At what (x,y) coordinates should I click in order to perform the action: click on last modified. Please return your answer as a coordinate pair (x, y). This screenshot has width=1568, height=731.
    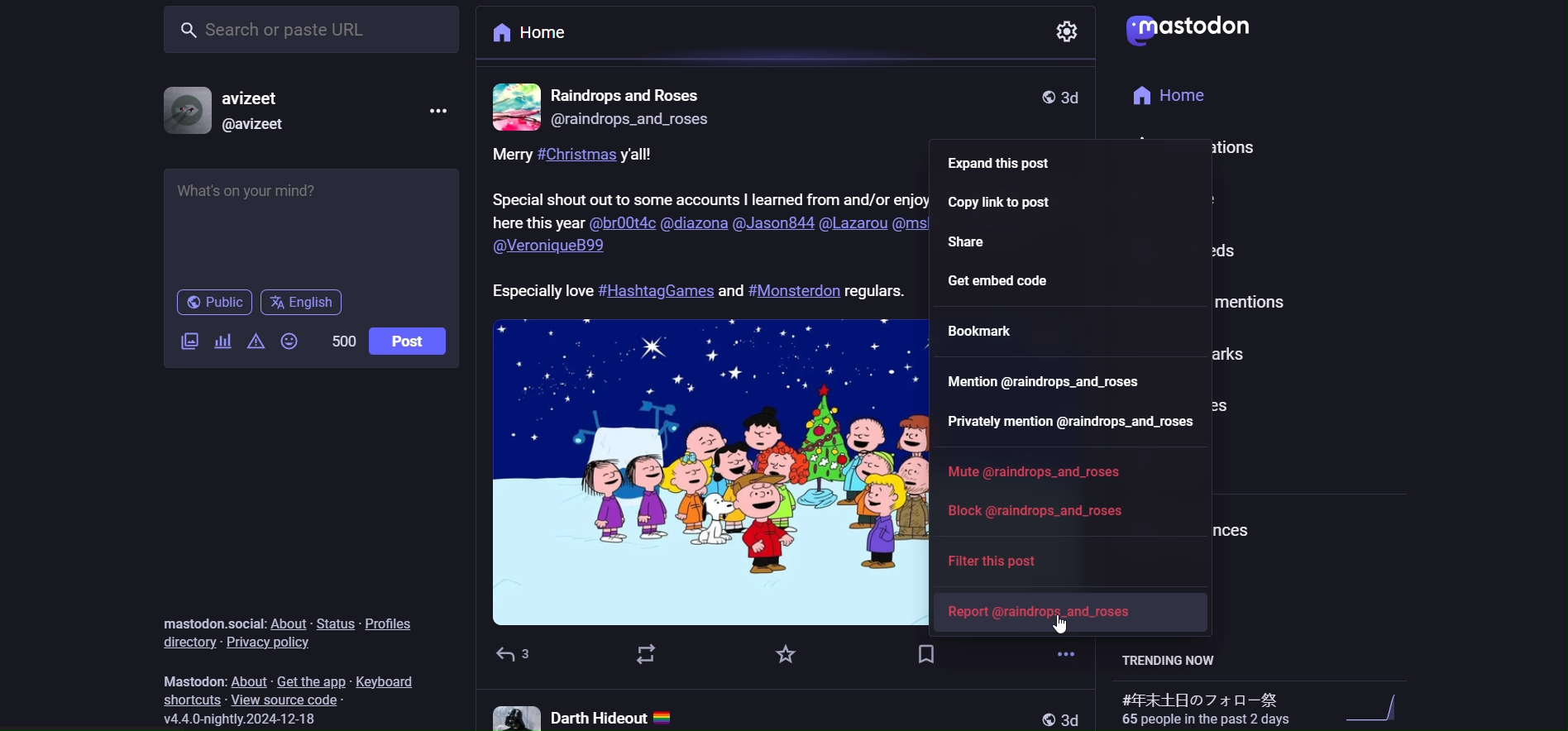
    Looking at the image, I should click on (1079, 98).